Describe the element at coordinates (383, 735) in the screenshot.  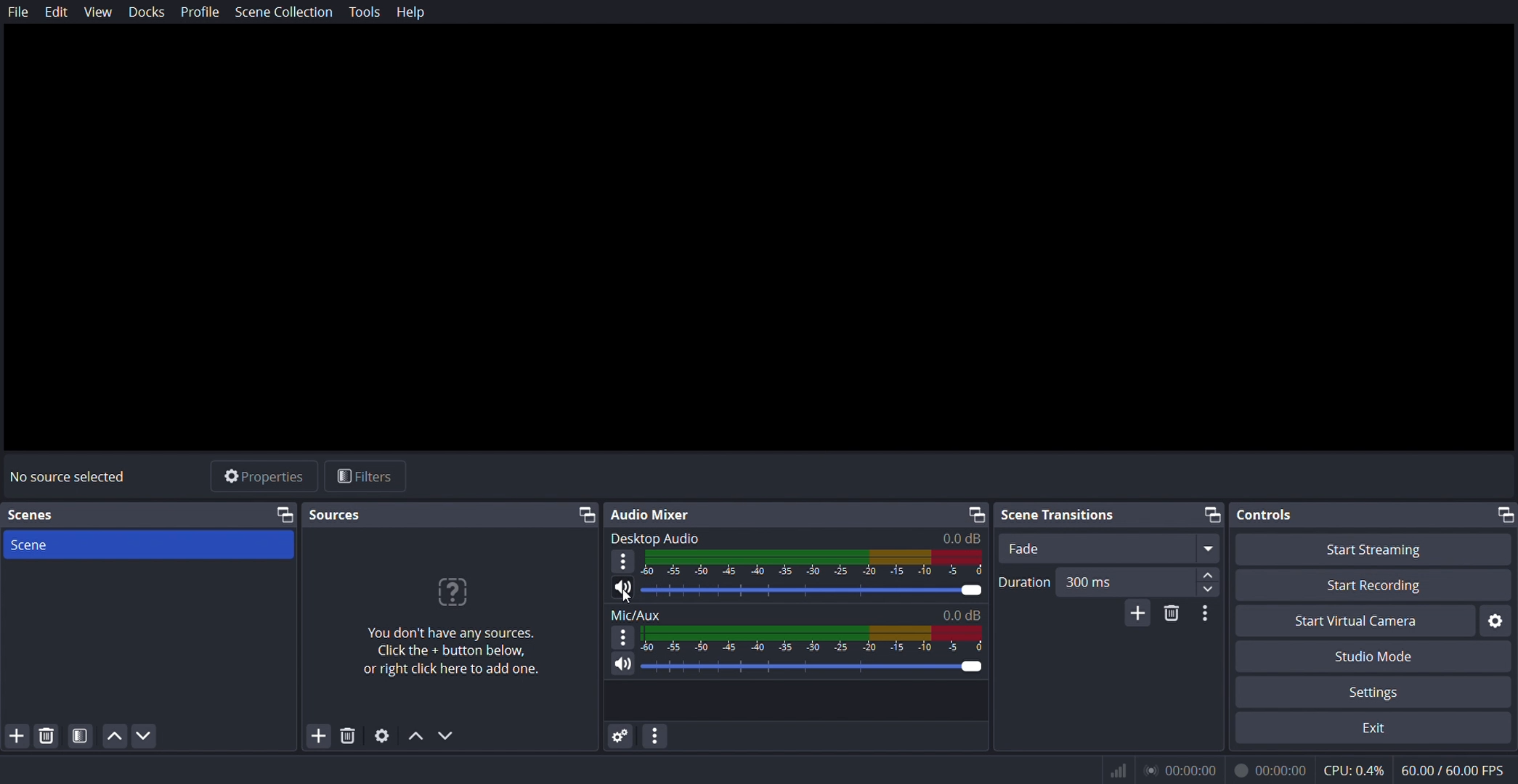
I see `settings` at that location.